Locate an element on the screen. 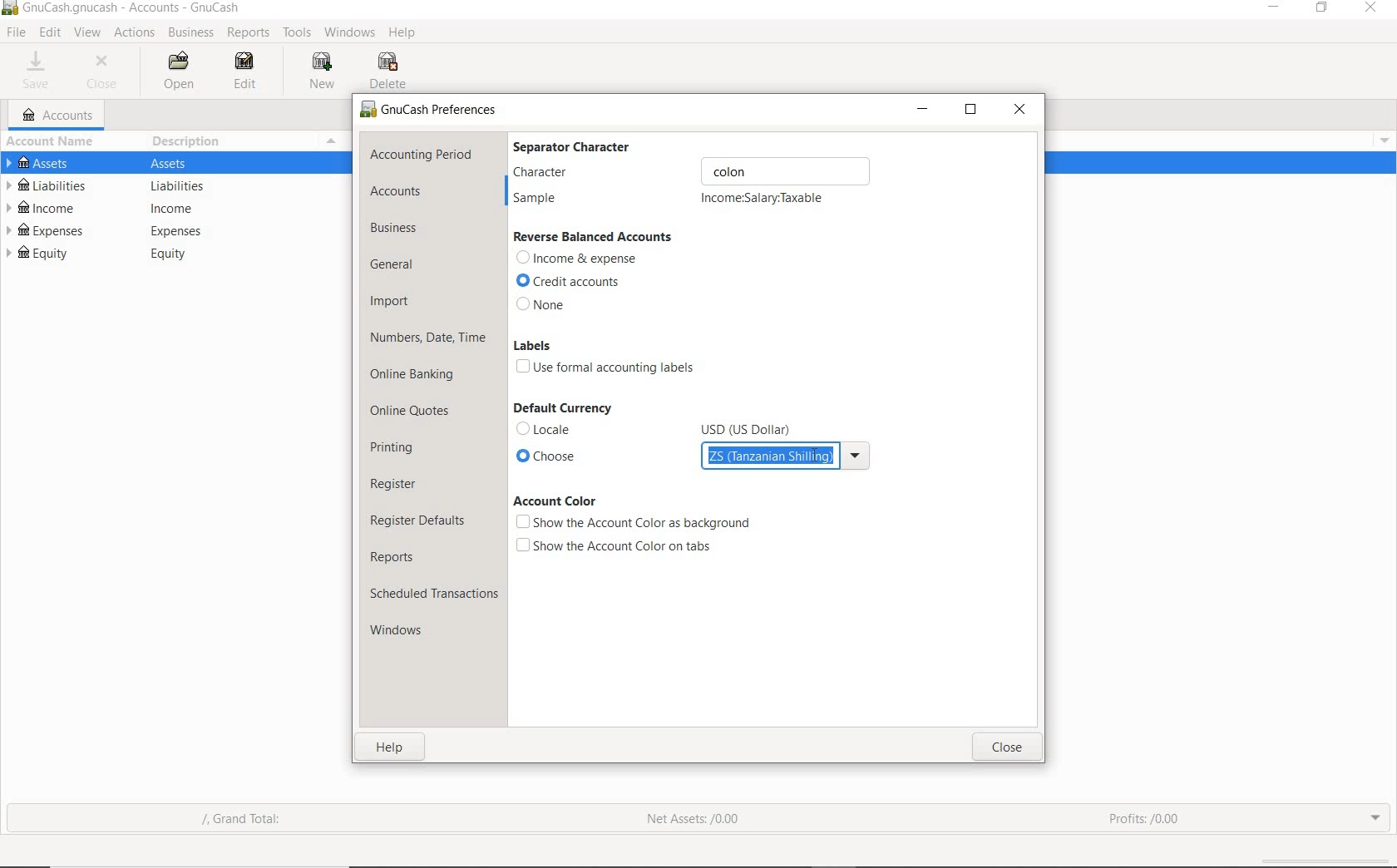 The image size is (1397, 868).  is located at coordinates (182, 209).